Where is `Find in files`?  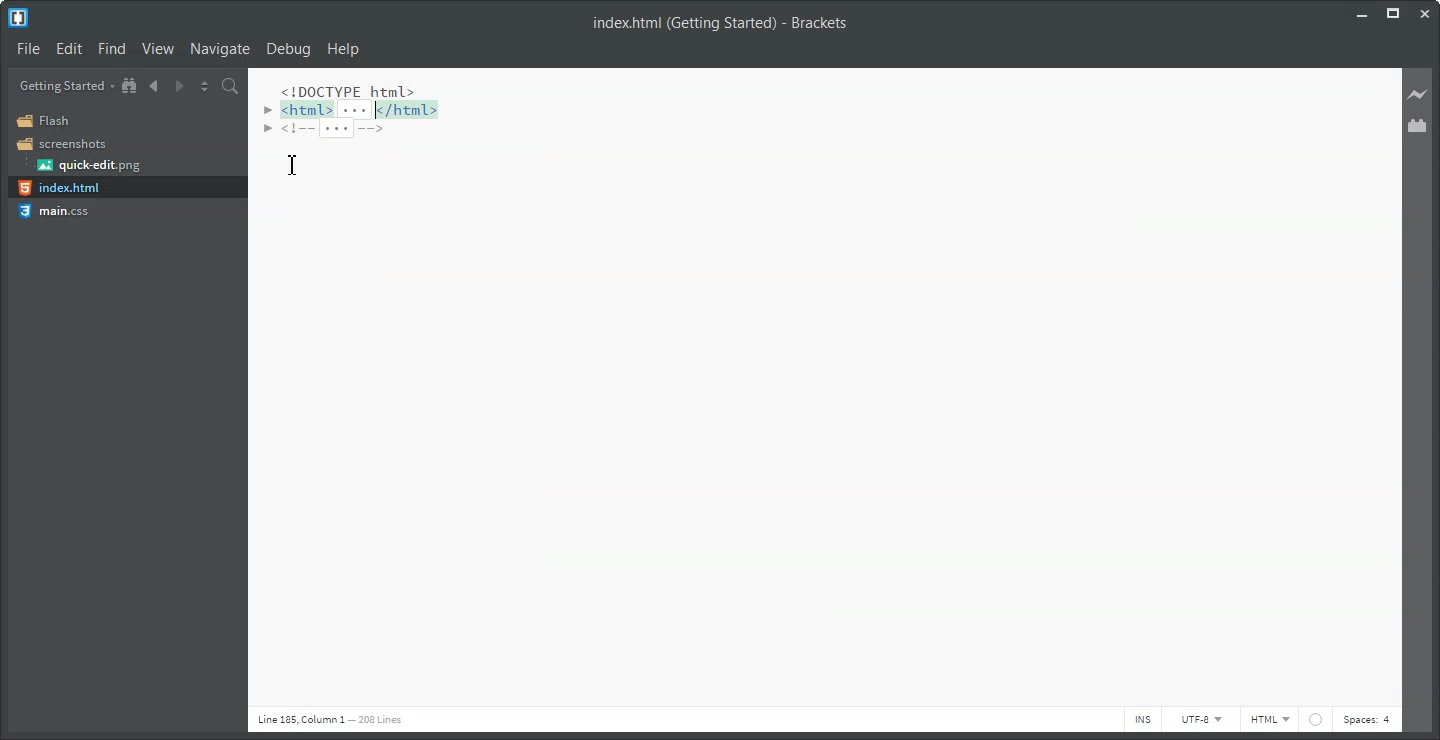
Find in files is located at coordinates (230, 86).